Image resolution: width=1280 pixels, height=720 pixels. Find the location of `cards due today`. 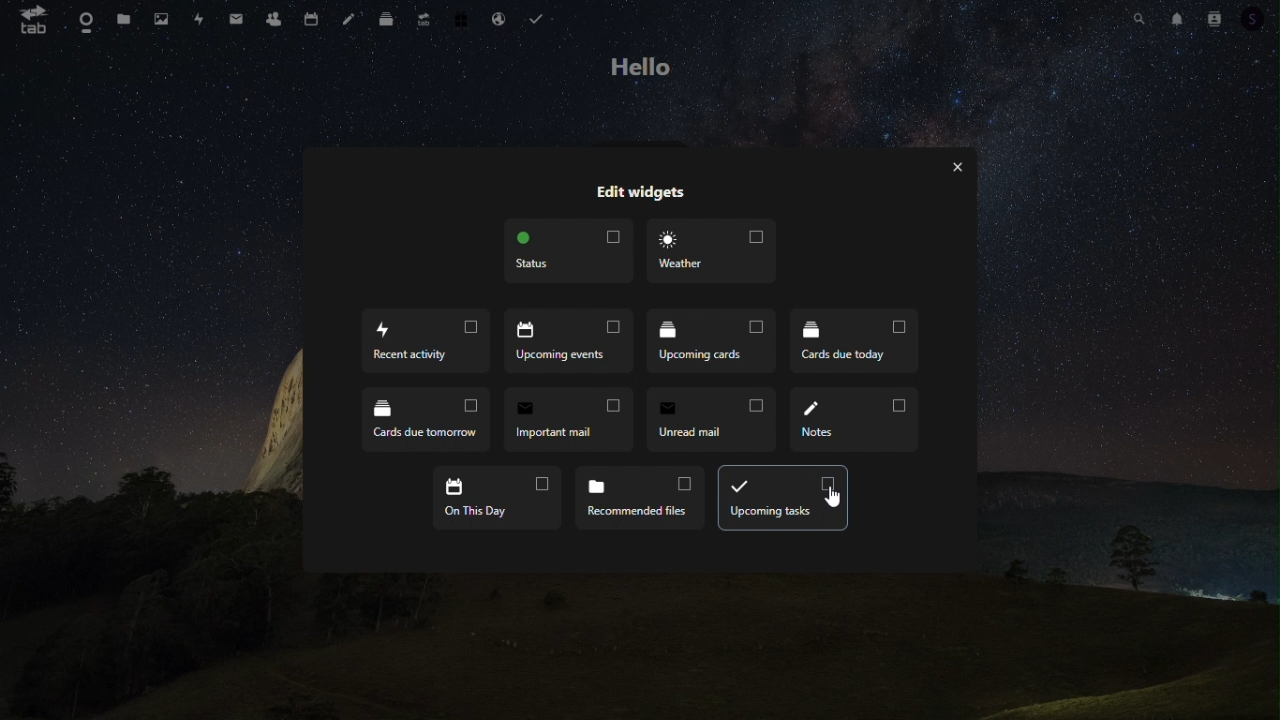

cards due today is located at coordinates (854, 343).